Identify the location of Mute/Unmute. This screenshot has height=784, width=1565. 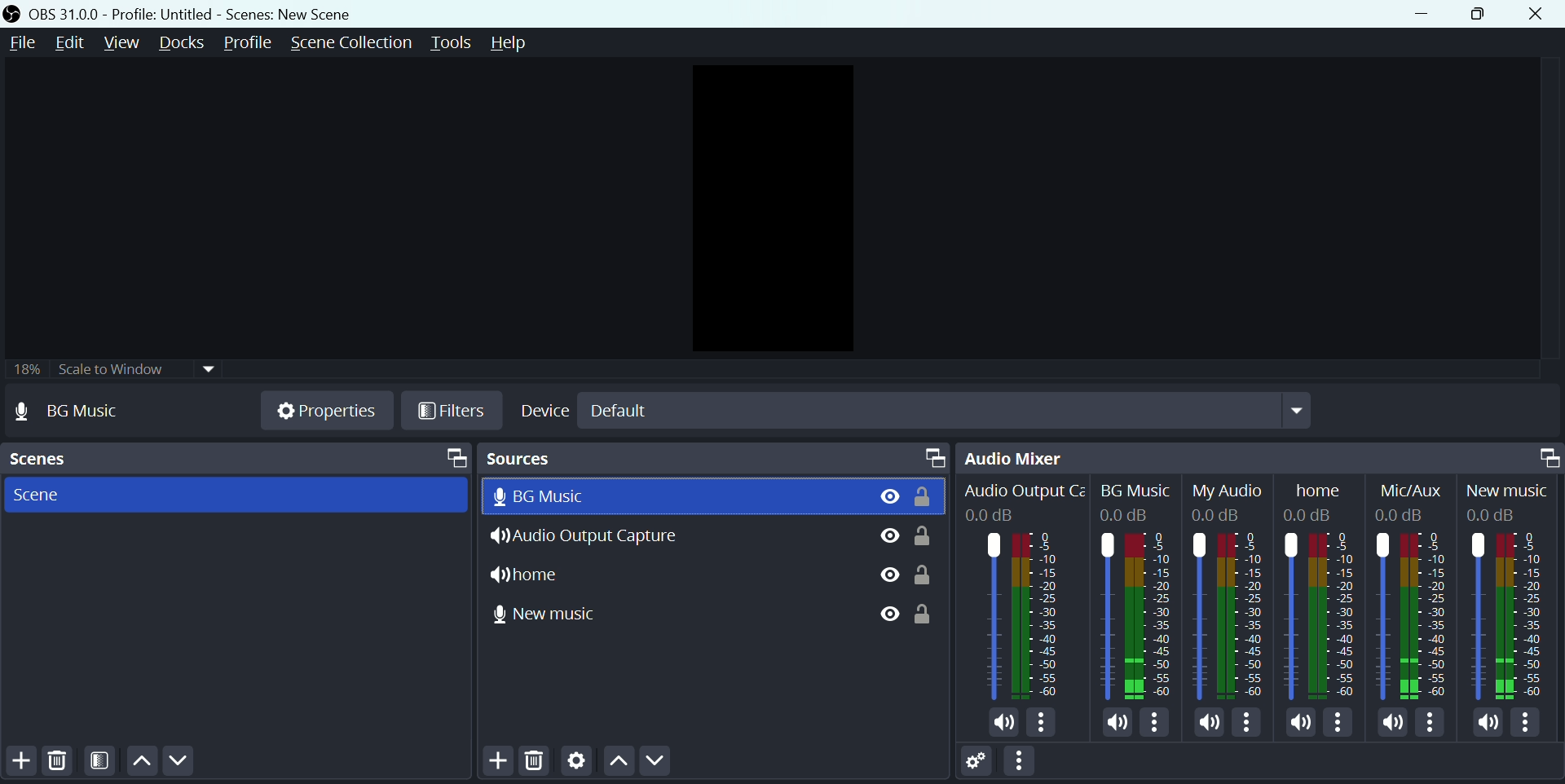
(1003, 723).